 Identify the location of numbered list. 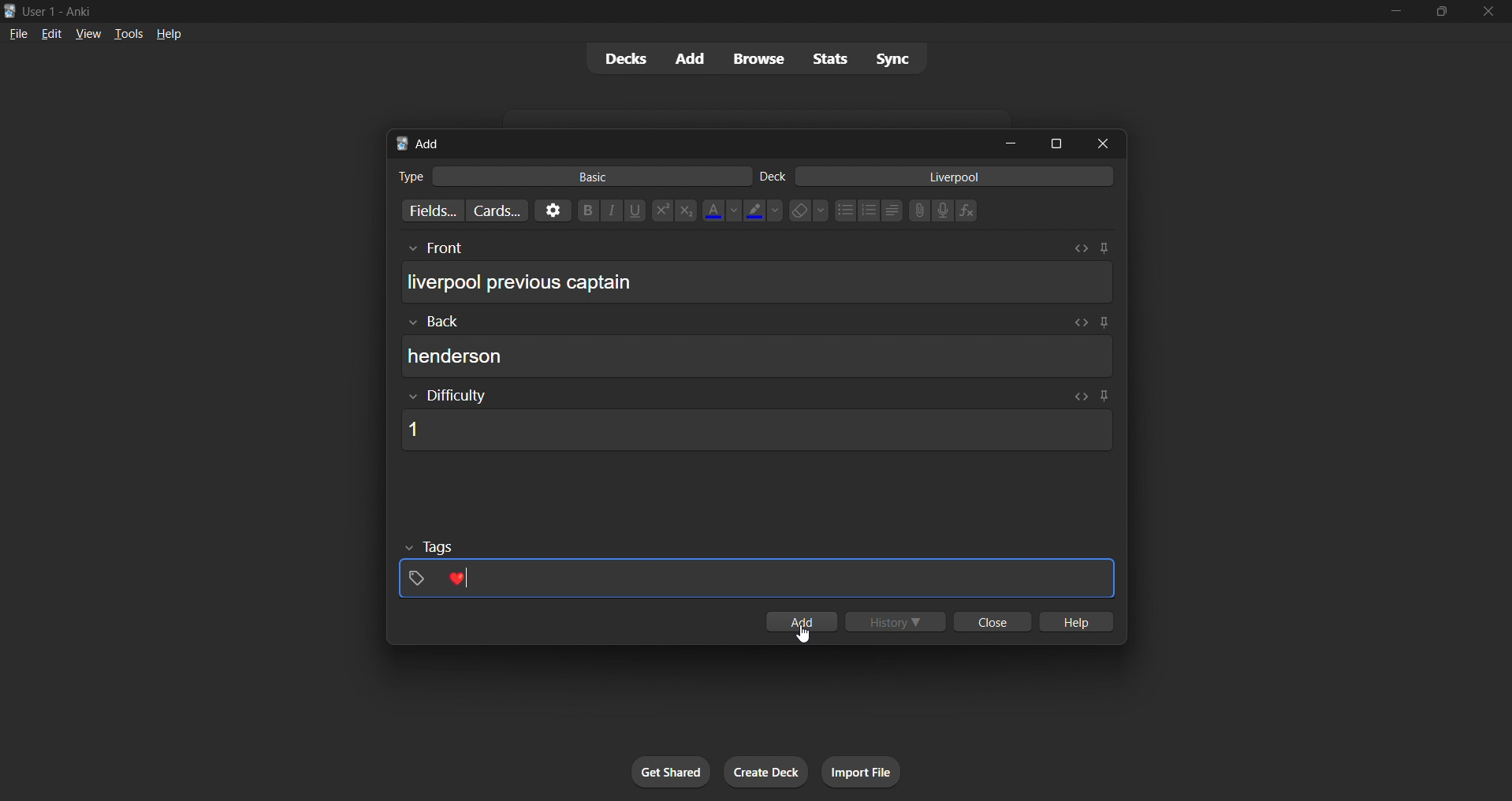
(870, 212).